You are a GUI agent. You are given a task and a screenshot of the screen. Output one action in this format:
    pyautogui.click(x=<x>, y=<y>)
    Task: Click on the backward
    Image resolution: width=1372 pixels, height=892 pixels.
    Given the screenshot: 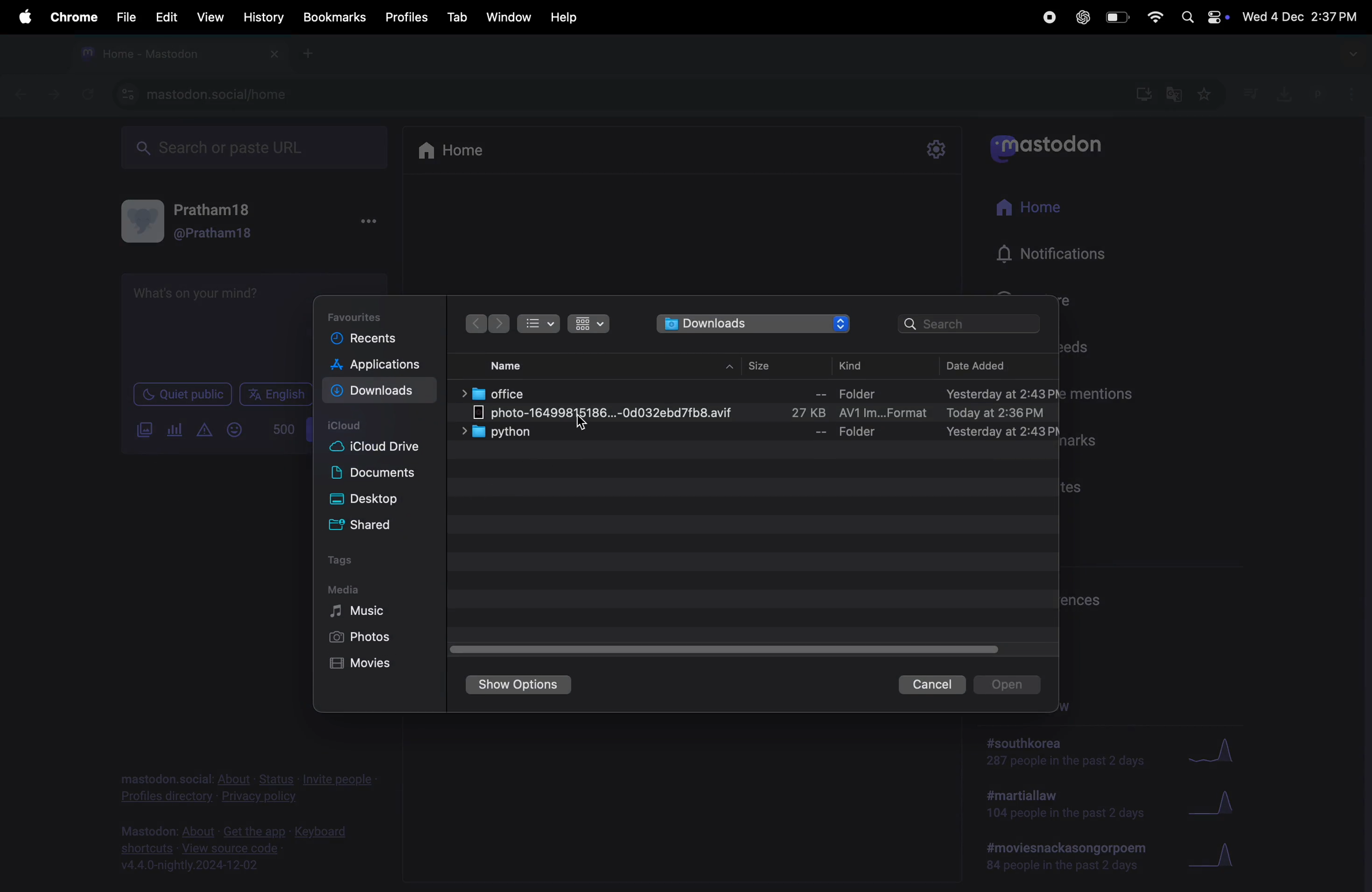 What is the action you would take?
    pyautogui.click(x=476, y=323)
    